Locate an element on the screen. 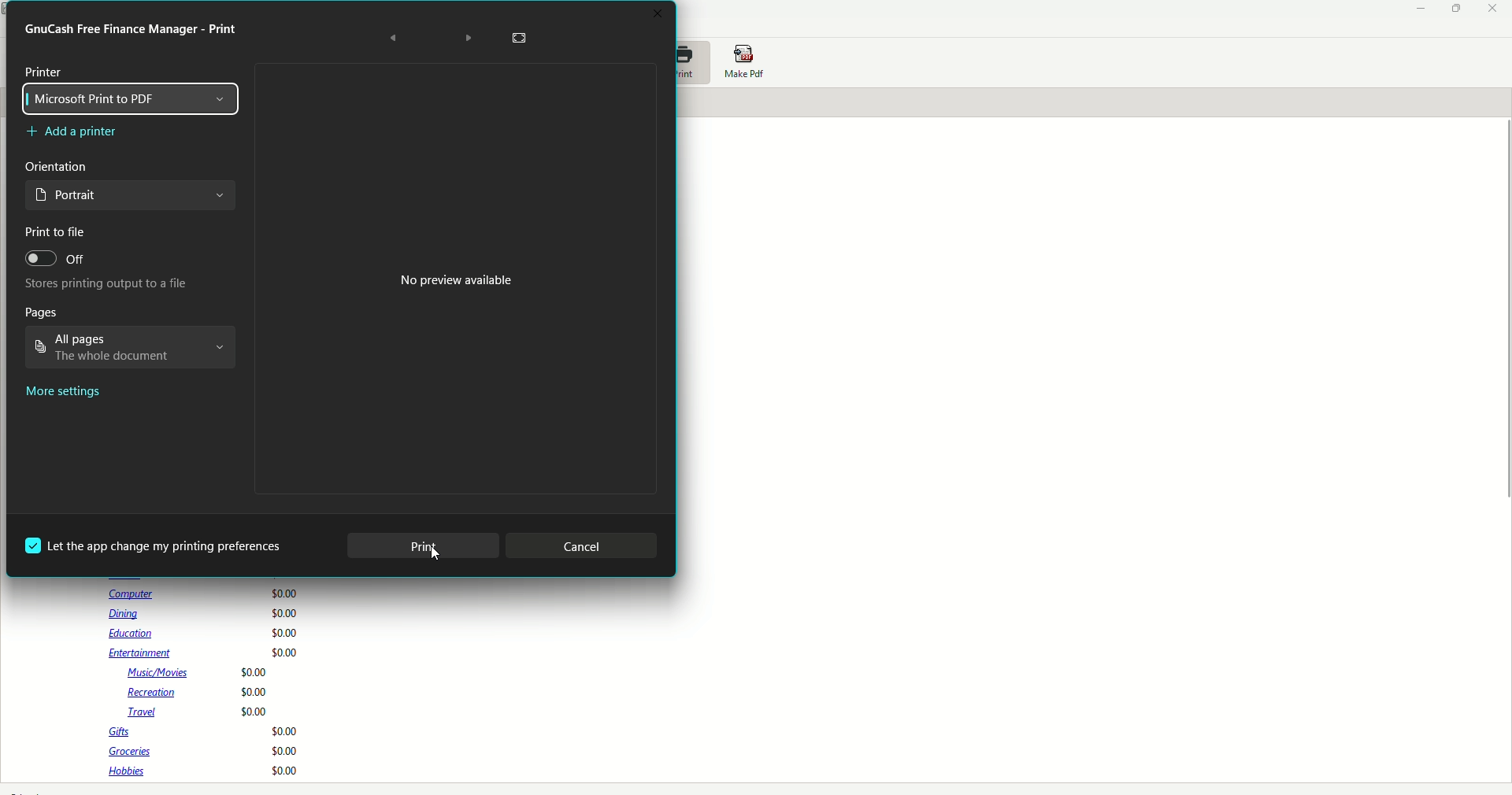  Microsoft print to PDF is located at coordinates (134, 98).